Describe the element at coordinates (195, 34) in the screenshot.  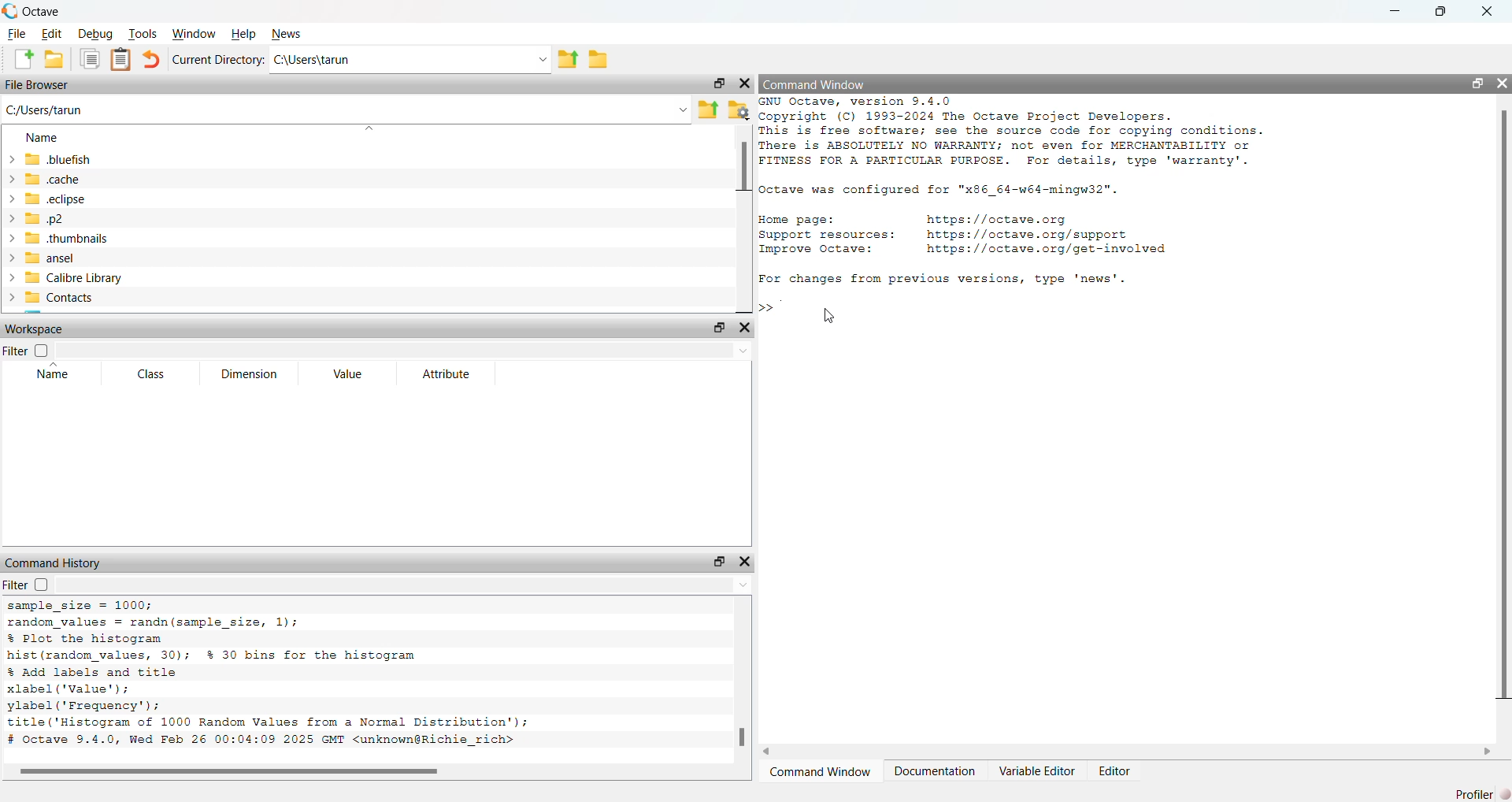
I see `Window` at that location.